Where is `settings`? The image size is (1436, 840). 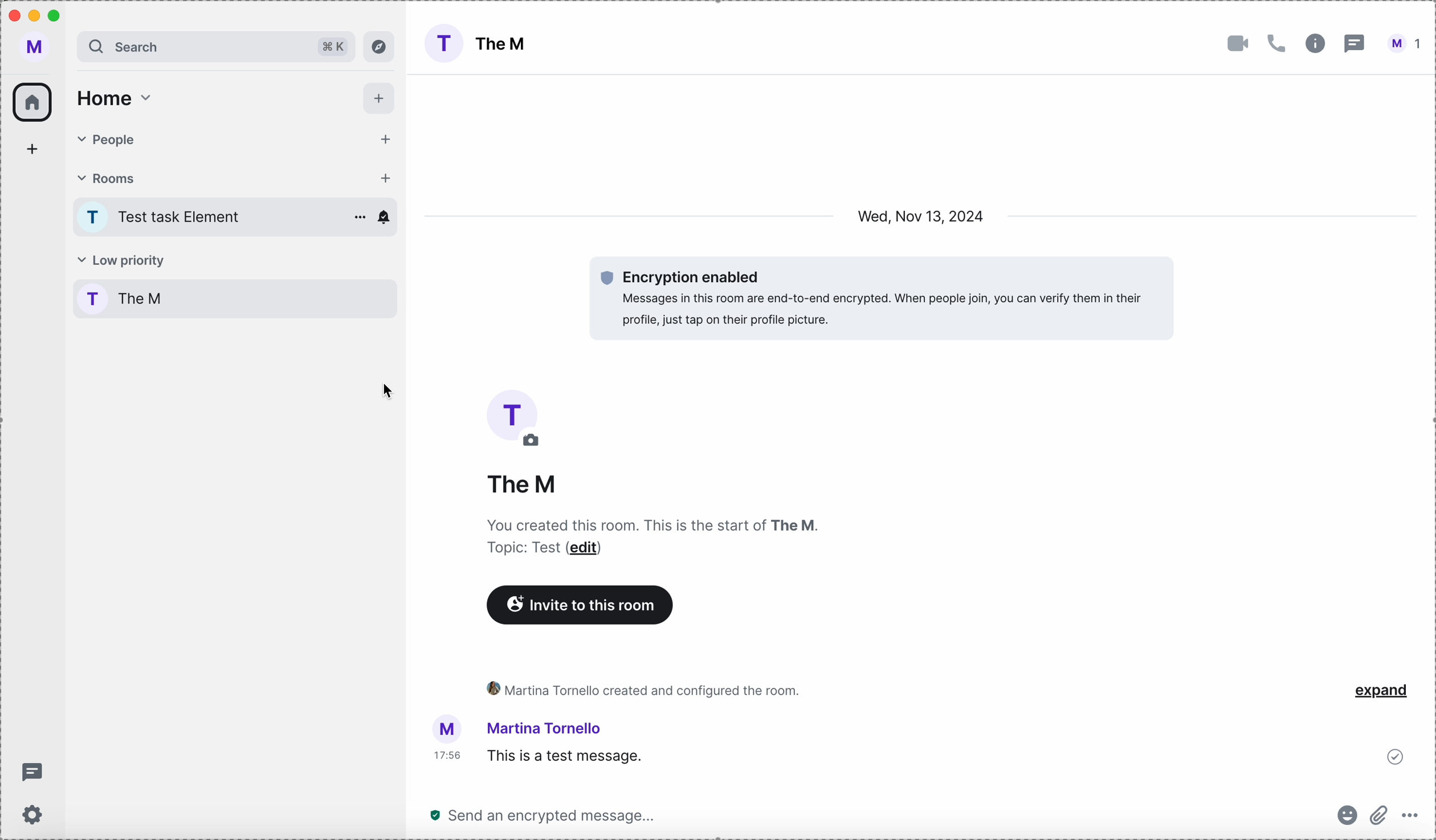 settings is located at coordinates (33, 814).